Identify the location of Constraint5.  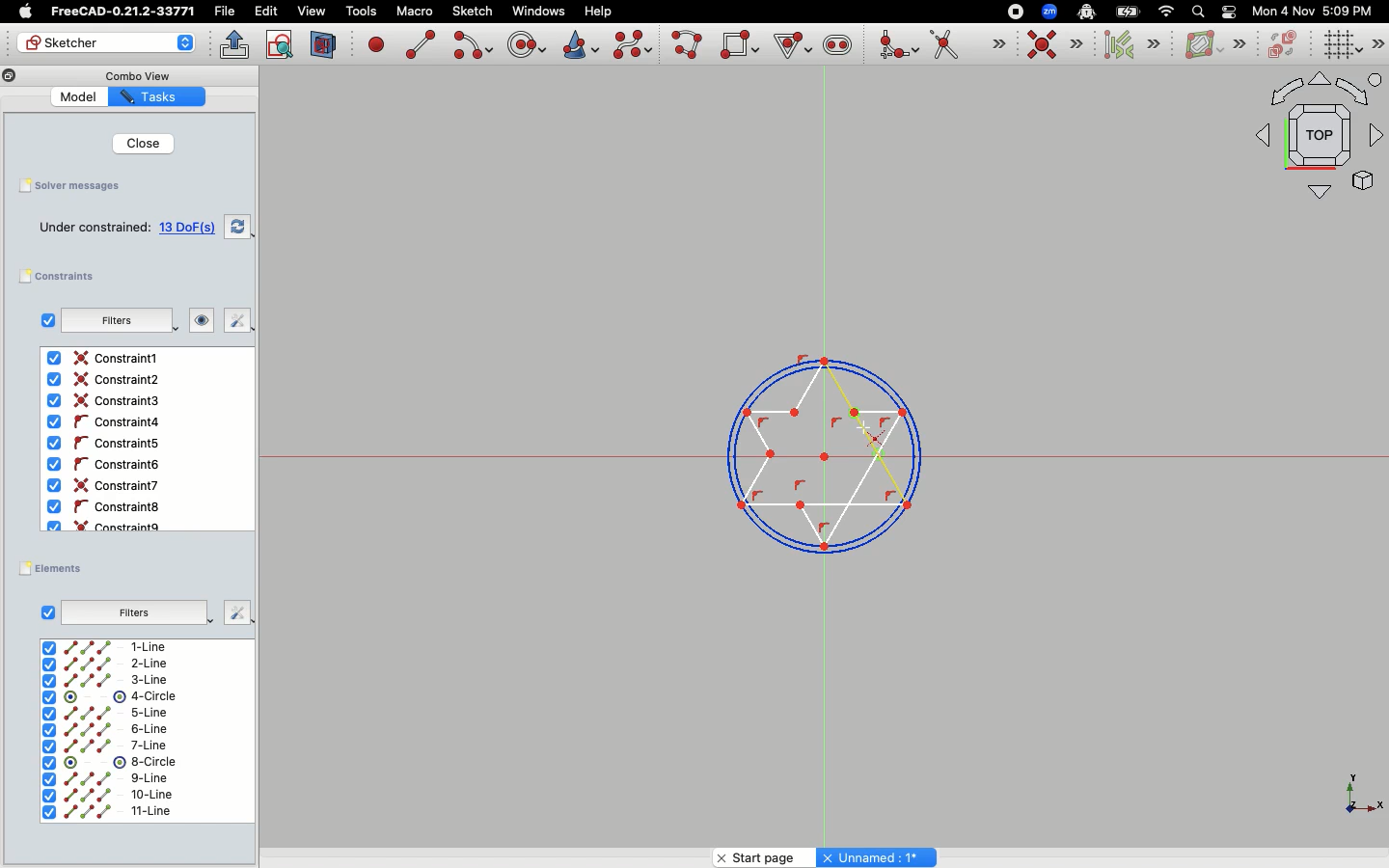
(103, 444).